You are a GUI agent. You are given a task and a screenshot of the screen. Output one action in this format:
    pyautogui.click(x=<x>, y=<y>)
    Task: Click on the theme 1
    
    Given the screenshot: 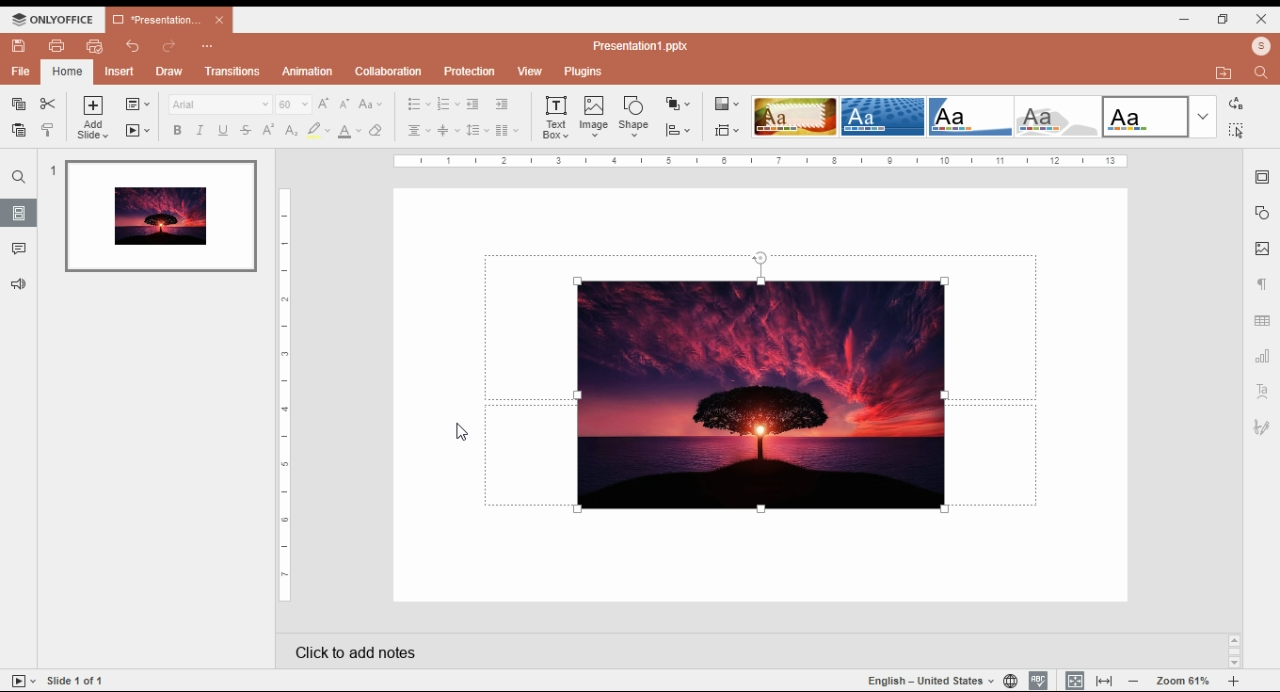 What is the action you would take?
    pyautogui.click(x=793, y=117)
    